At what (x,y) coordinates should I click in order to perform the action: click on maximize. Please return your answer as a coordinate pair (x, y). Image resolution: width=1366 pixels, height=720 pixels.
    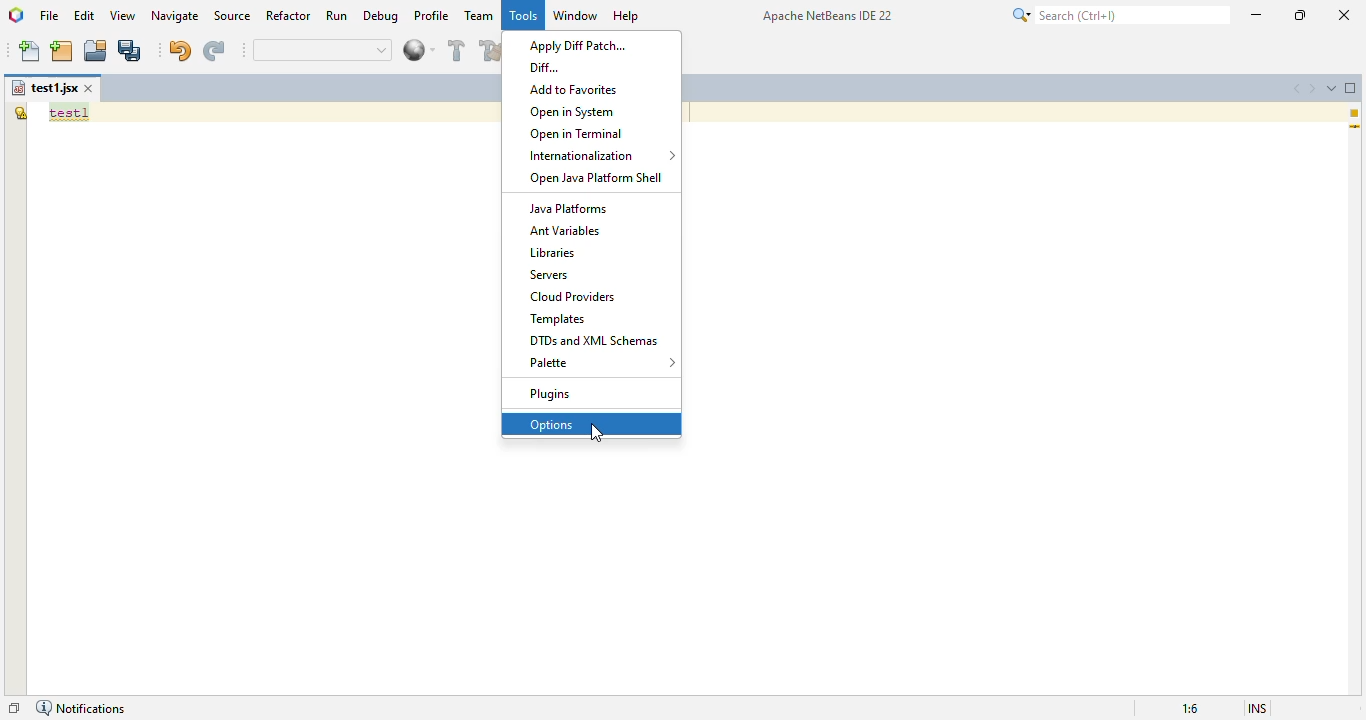
    Looking at the image, I should click on (1301, 15).